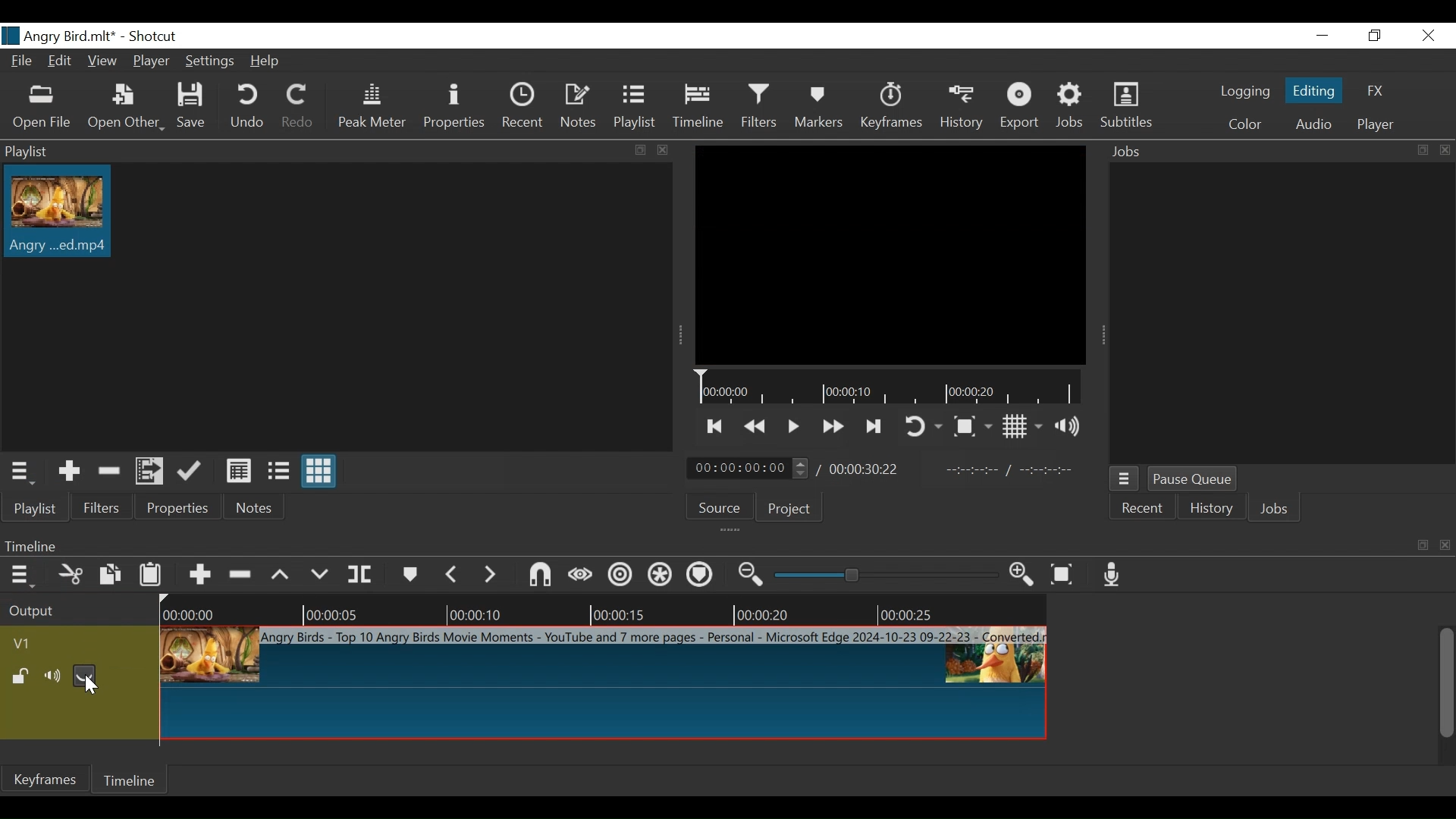  I want to click on markers, so click(409, 574).